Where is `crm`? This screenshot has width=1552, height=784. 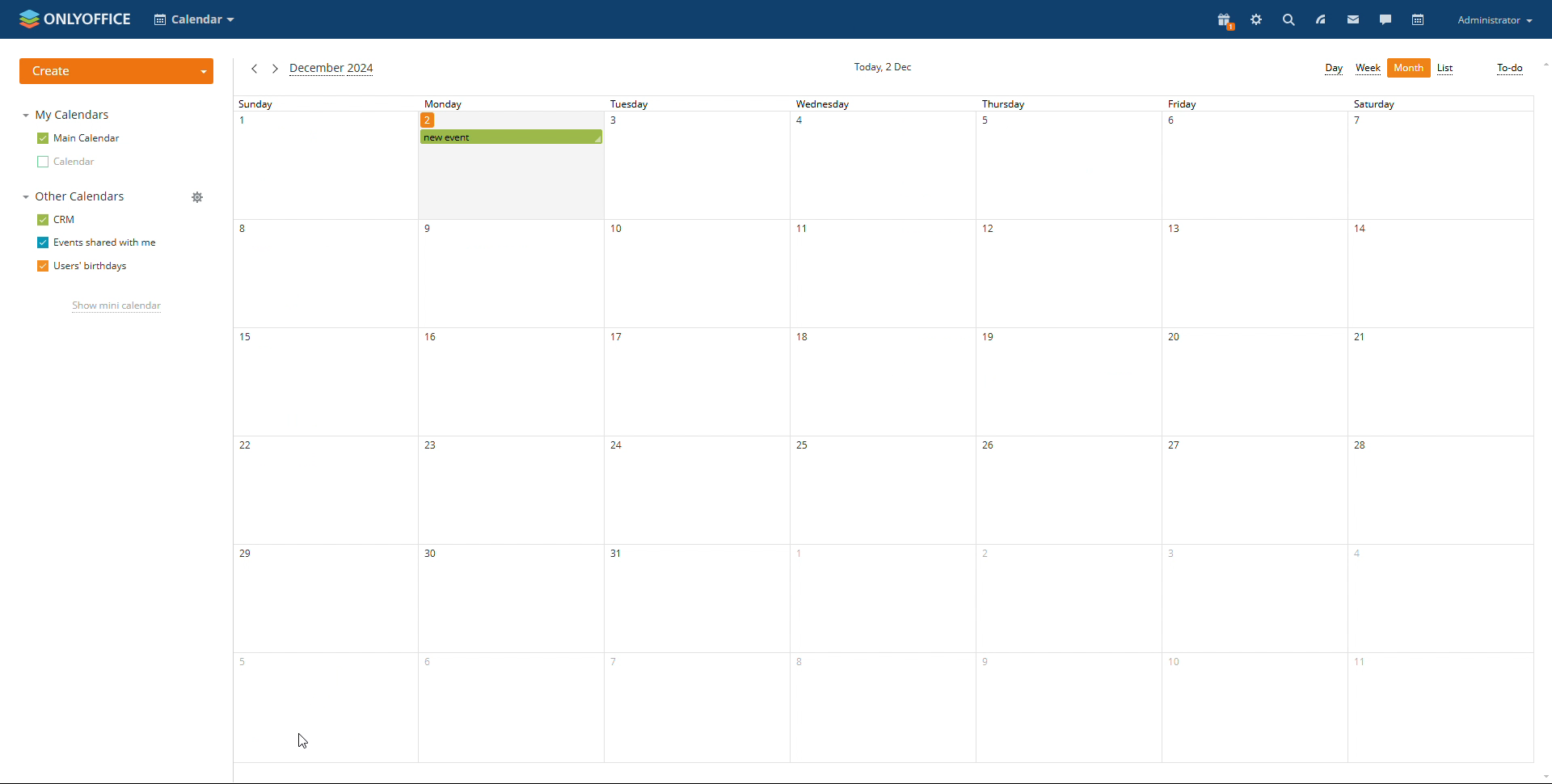 crm is located at coordinates (54, 219).